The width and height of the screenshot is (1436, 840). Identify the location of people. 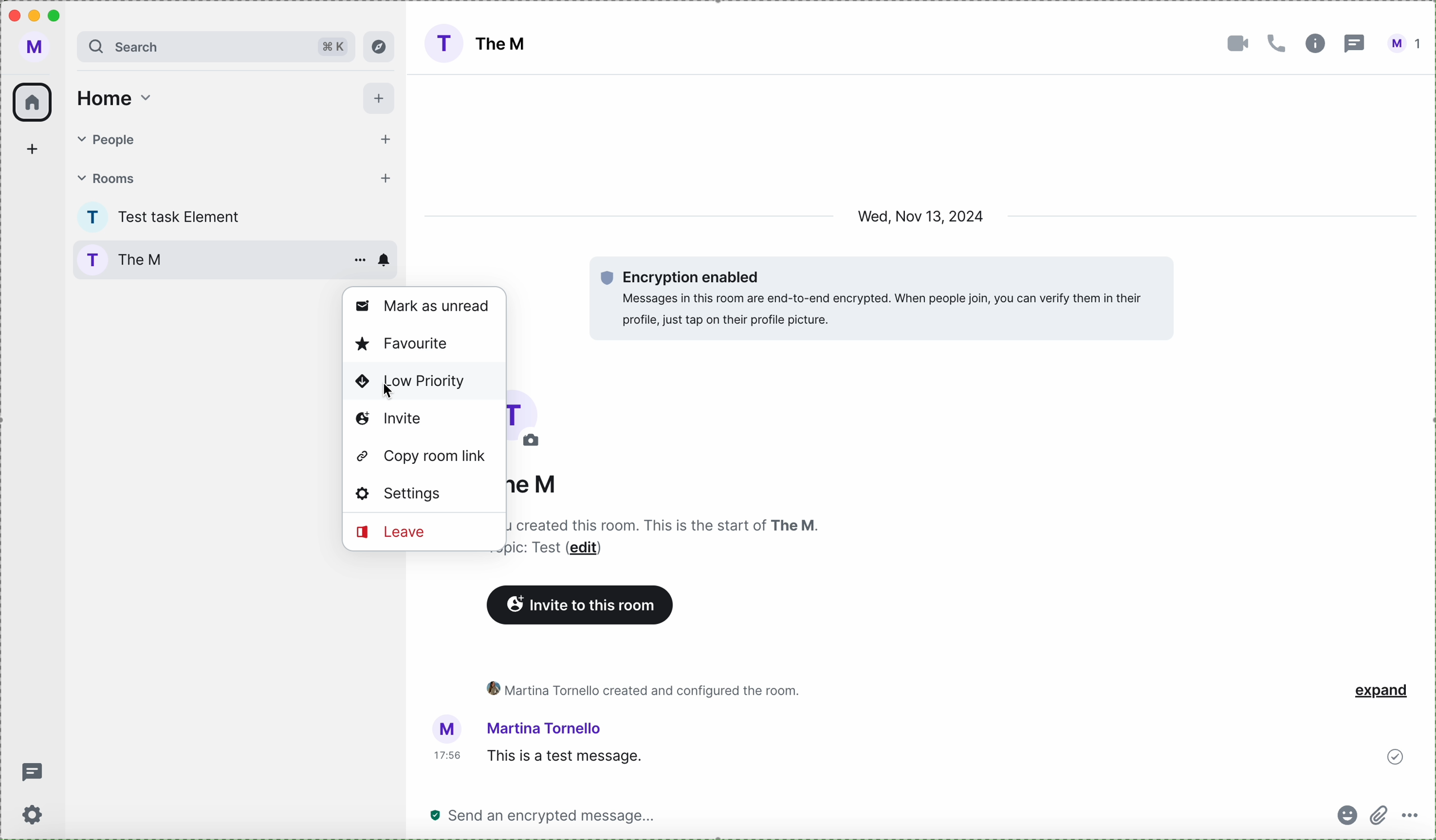
(214, 141).